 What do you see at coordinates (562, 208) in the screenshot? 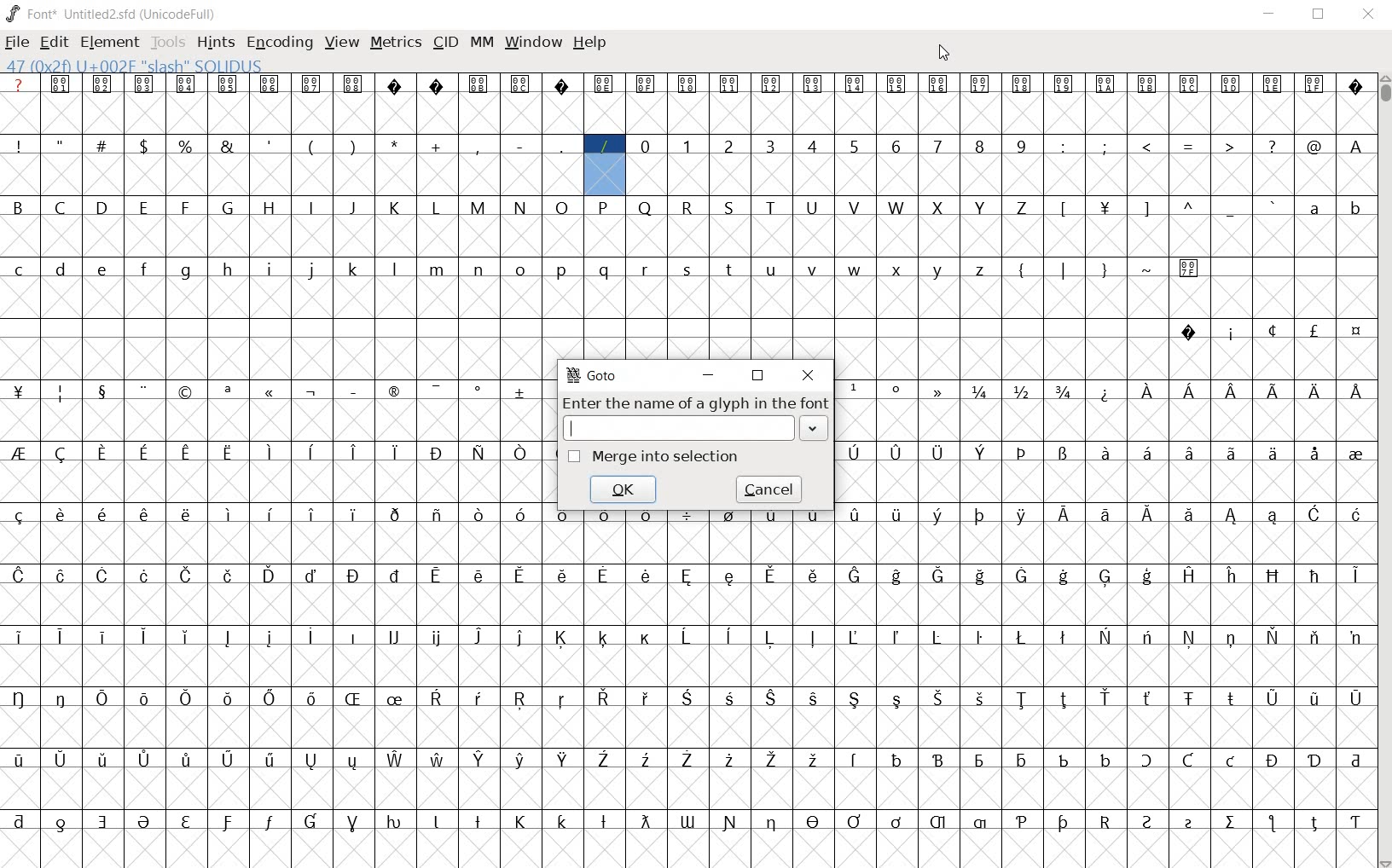
I see `glyph` at bounding box center [562, 208].